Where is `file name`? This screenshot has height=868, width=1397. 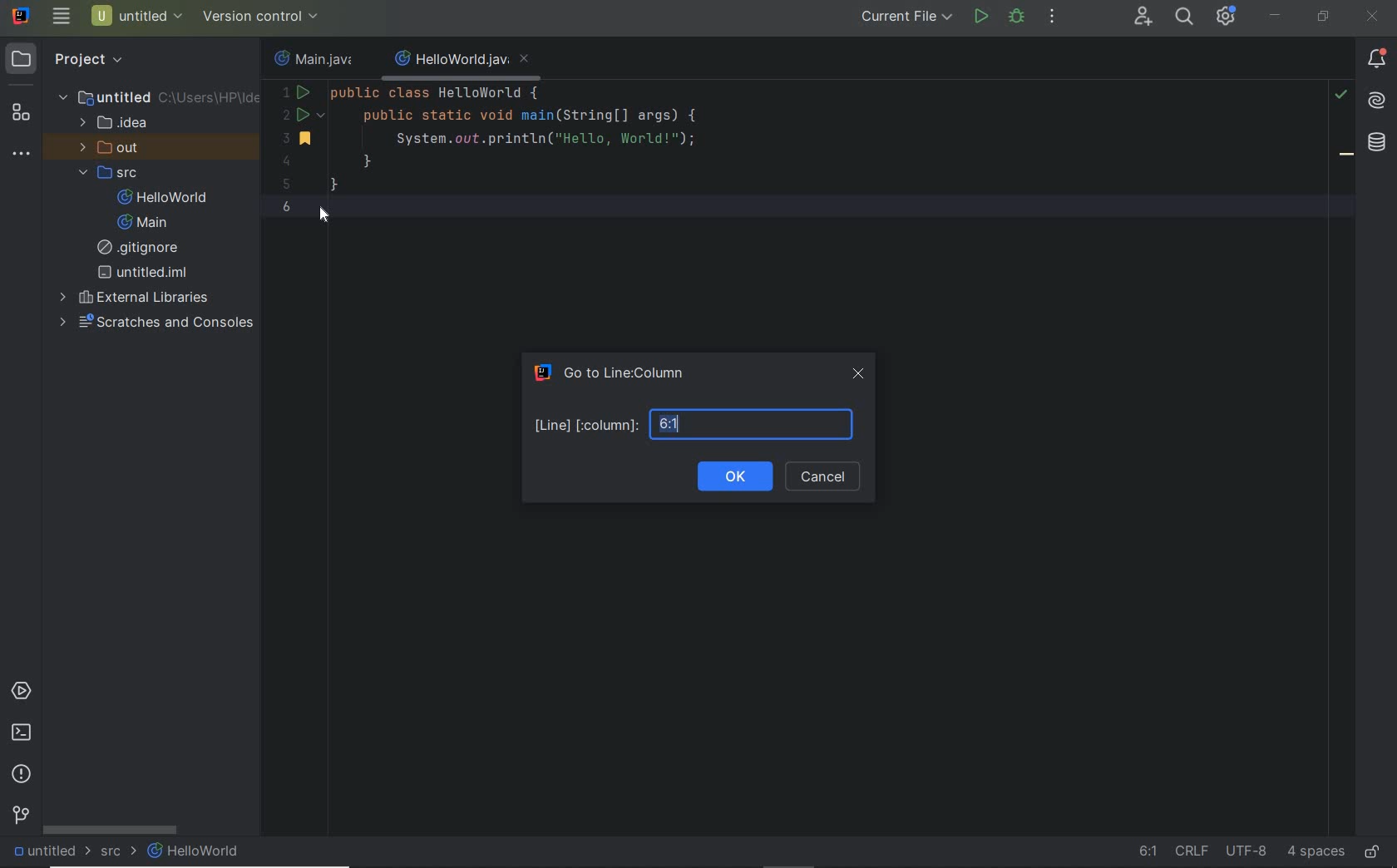
file name is located at coordinates (463, 61).